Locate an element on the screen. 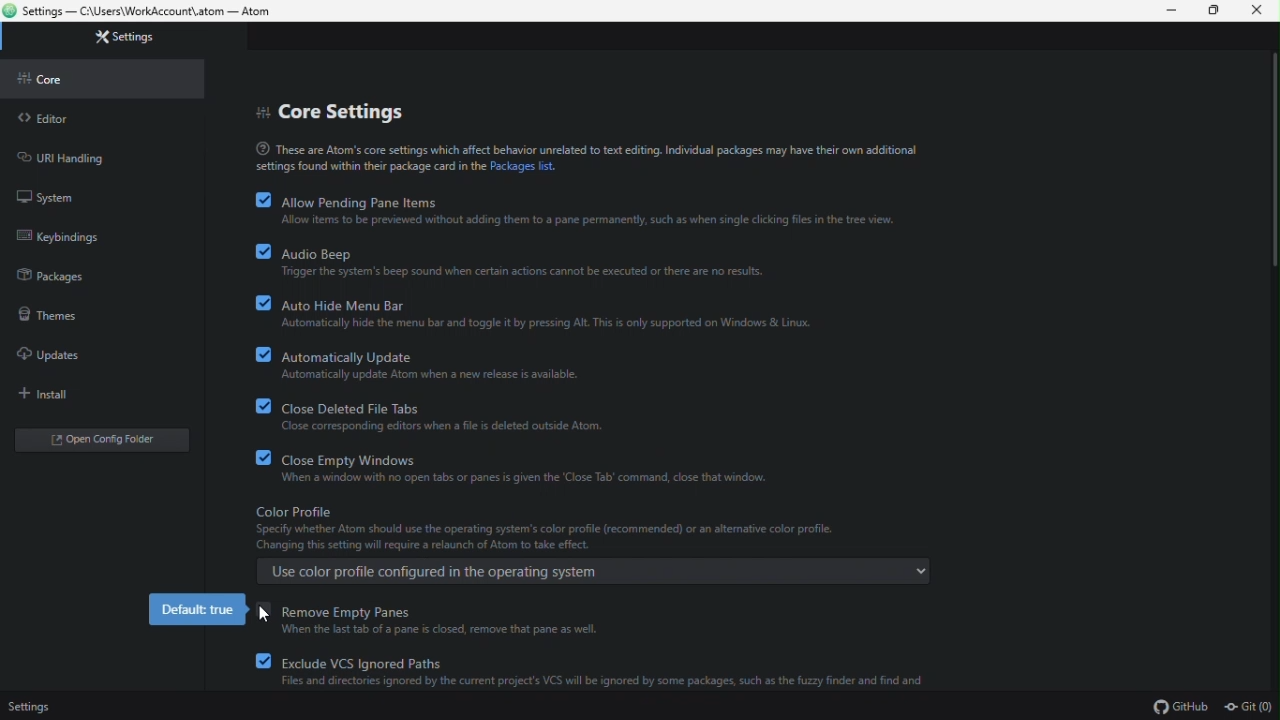  checkbox is located at coordinates (255, 352).